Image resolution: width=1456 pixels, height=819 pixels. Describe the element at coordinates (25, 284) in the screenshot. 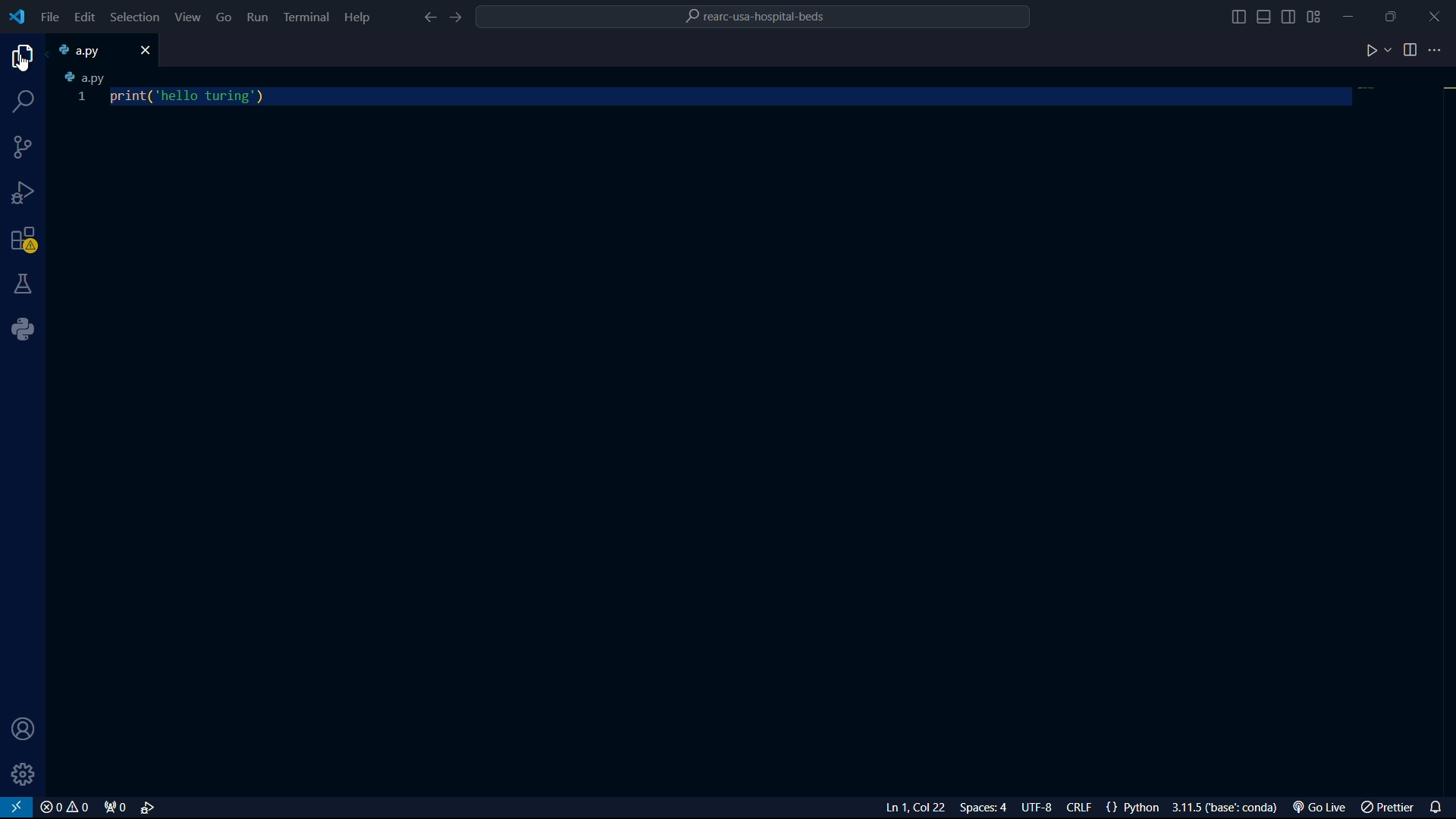

I see `testing` at that location.